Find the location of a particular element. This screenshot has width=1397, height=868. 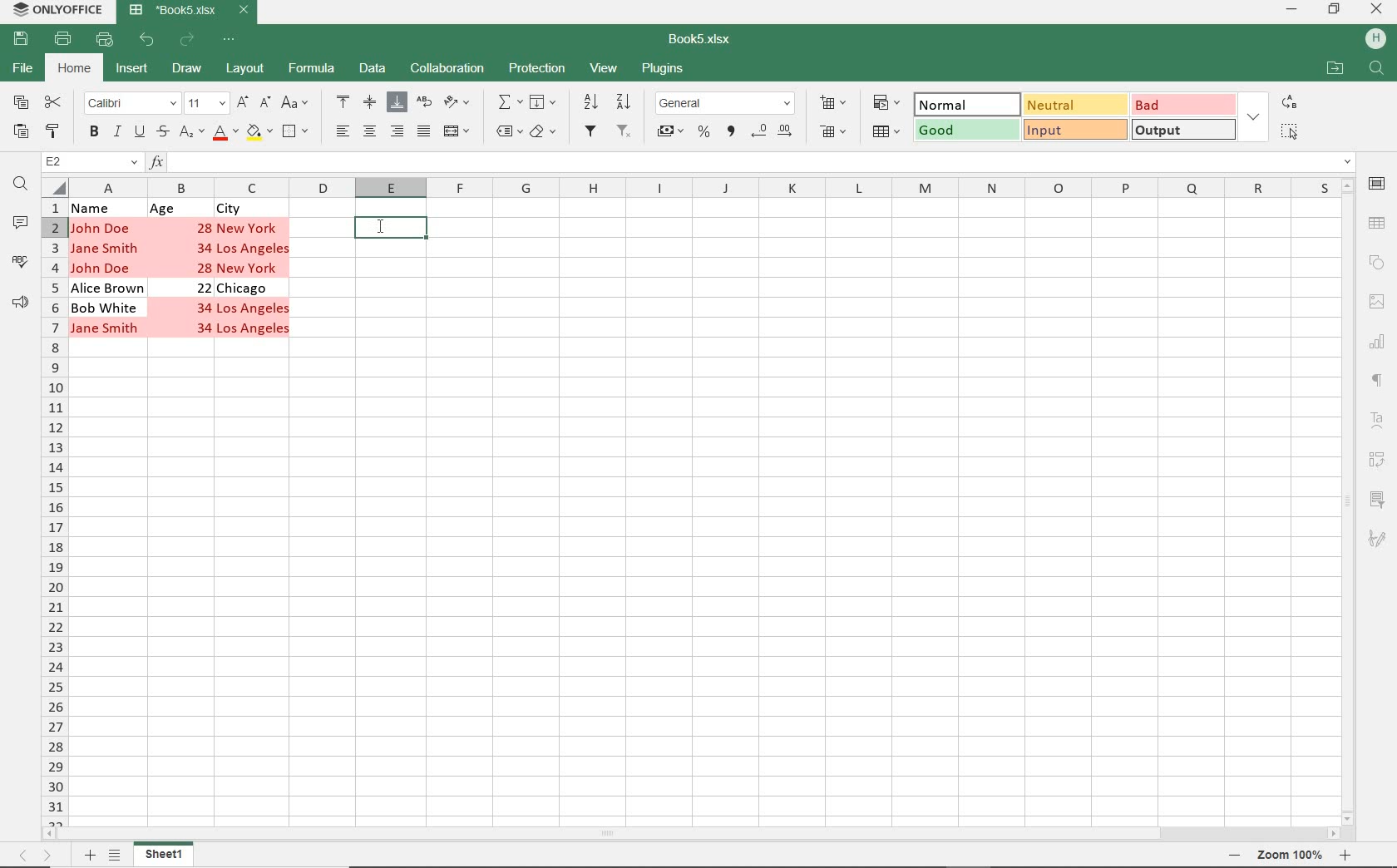

COPY is located at coordinates (19, 104).